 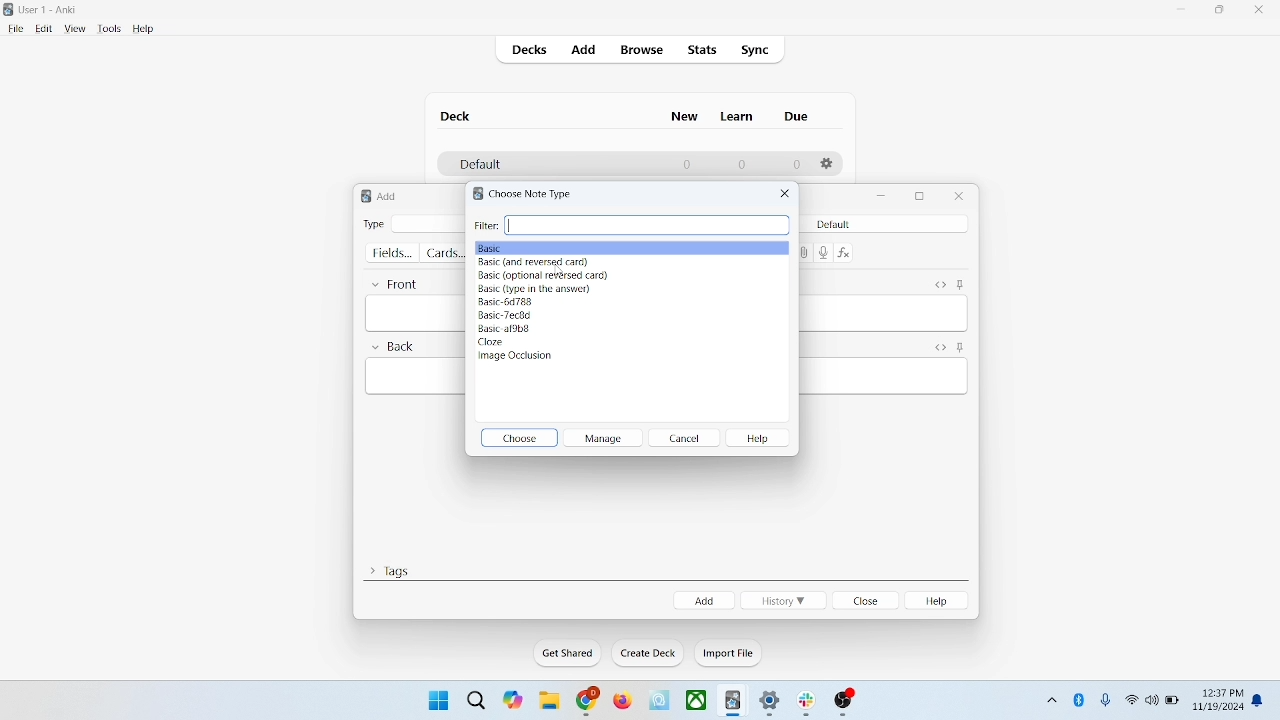 What do you see at coordinates (631, 247) in the screenshot?
I see `Basic` at bounding box center [631, 247].